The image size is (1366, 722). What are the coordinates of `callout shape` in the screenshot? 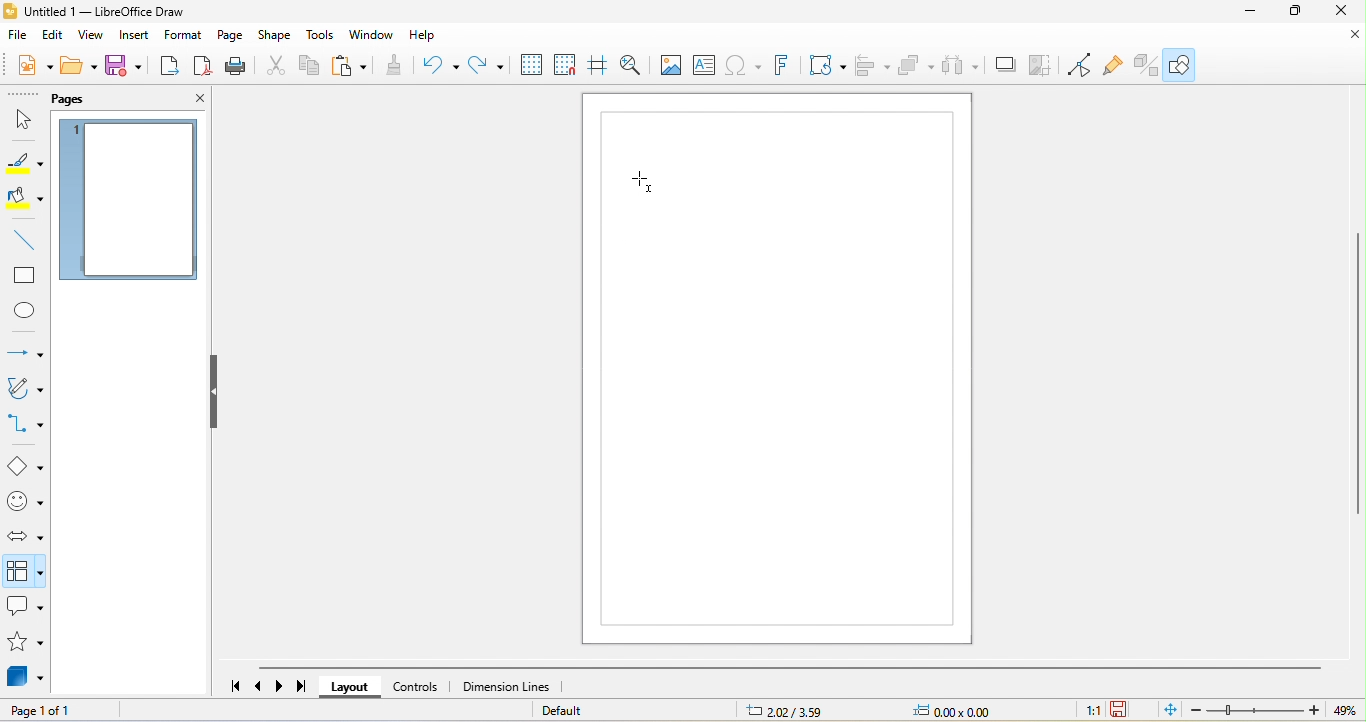 It's located at (26, 607).